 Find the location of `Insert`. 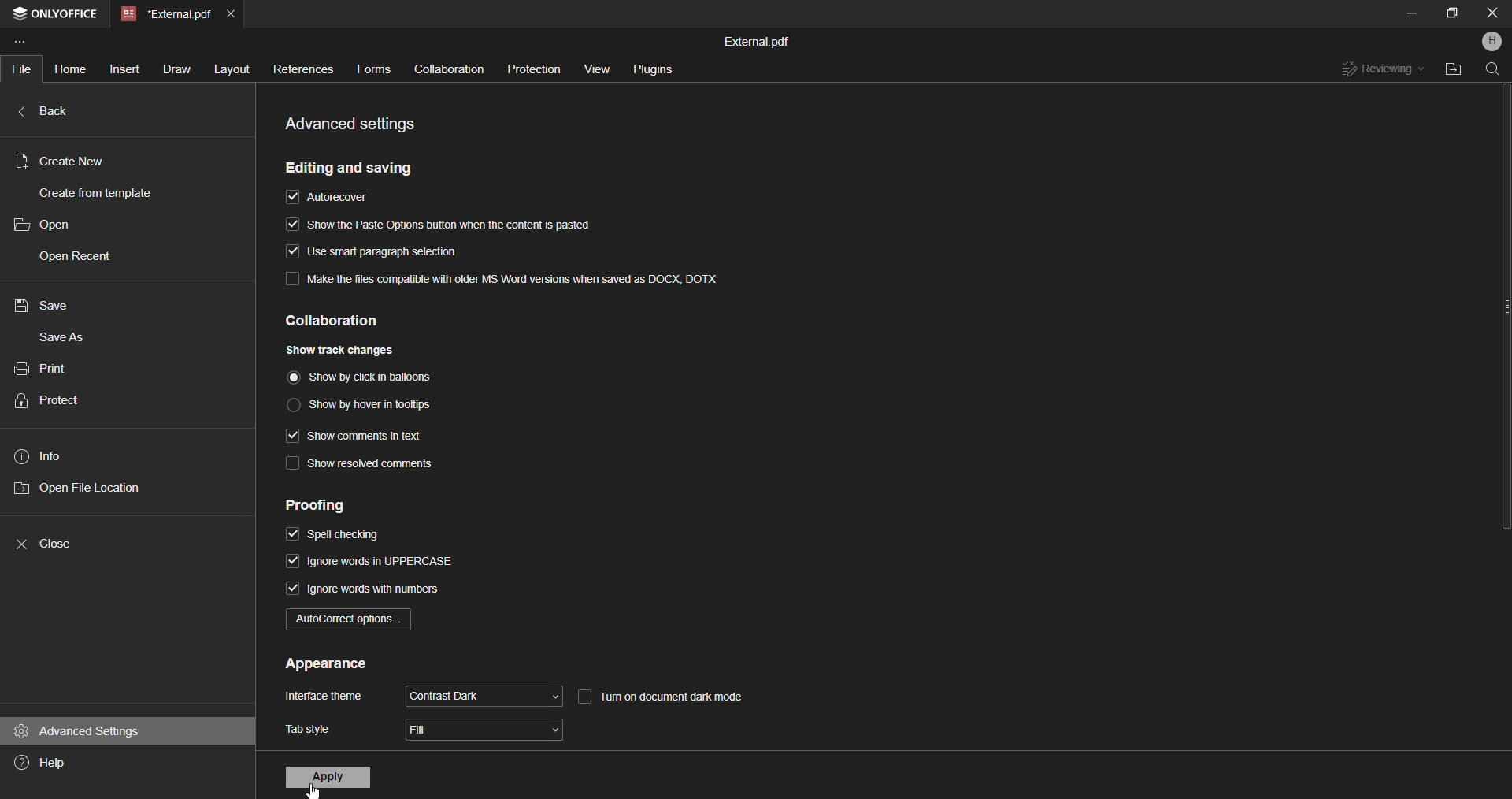

Insert is located at coordinates (123, 69).